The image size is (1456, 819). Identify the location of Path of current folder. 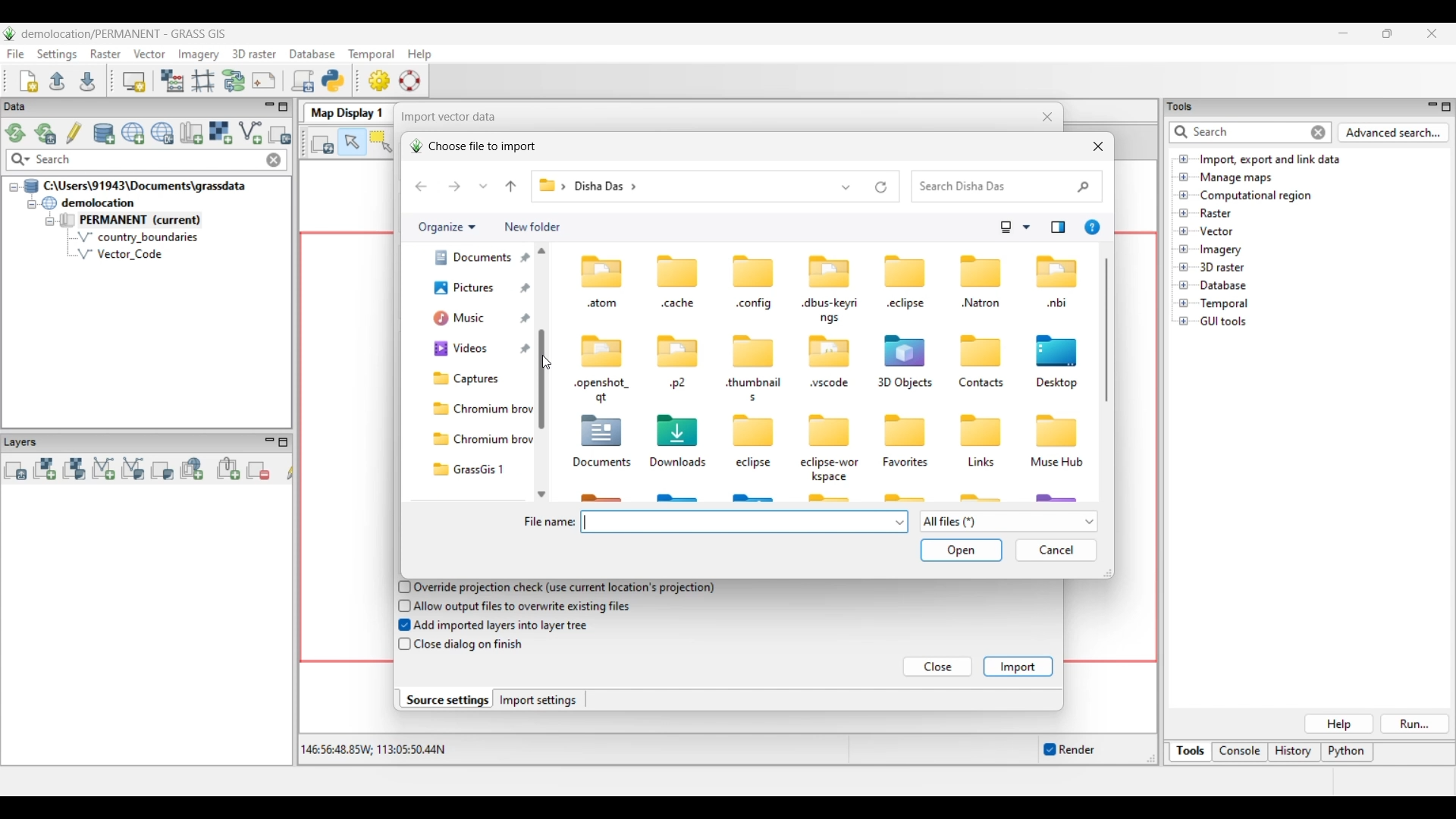
(550, 187).